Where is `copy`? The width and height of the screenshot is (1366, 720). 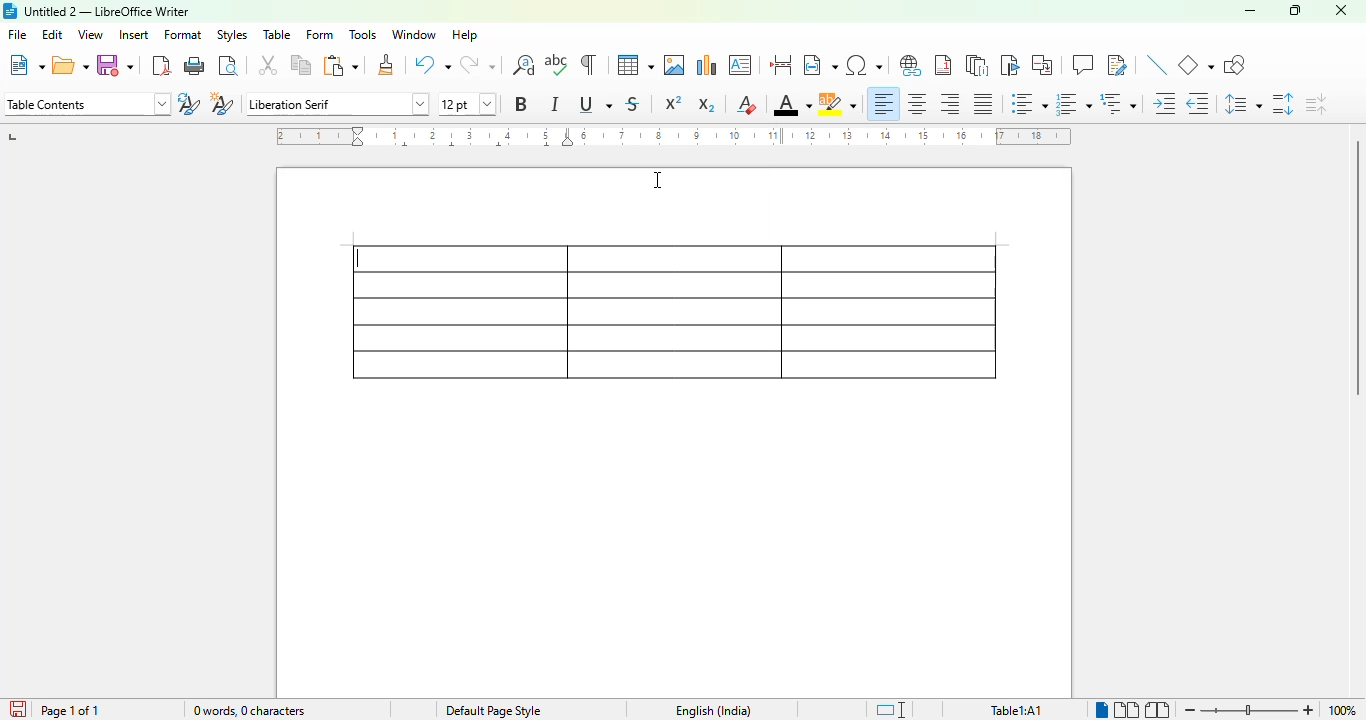 copy is located at coordinates (301, 65).